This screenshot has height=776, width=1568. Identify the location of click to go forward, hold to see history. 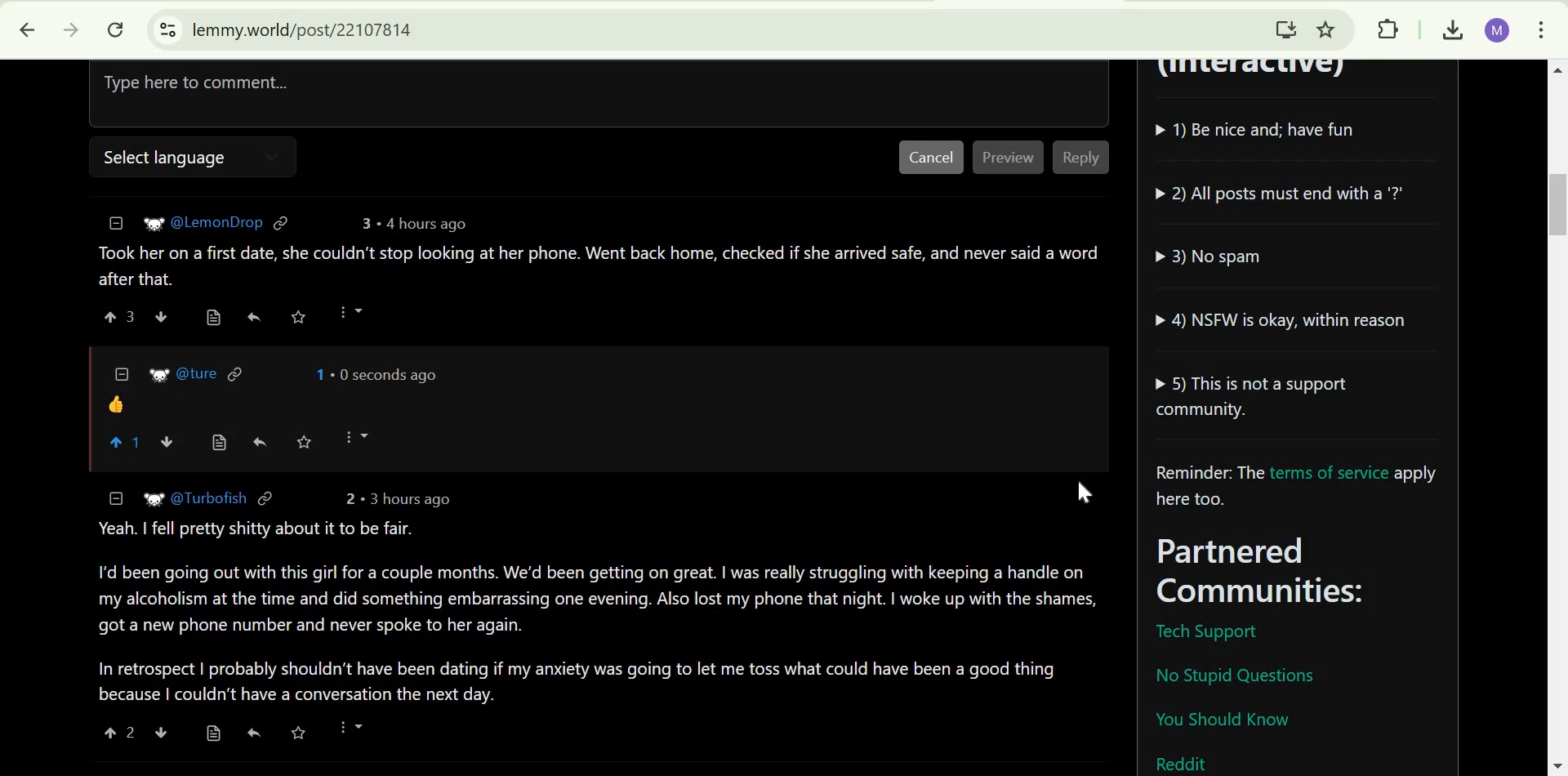
(67, 30).